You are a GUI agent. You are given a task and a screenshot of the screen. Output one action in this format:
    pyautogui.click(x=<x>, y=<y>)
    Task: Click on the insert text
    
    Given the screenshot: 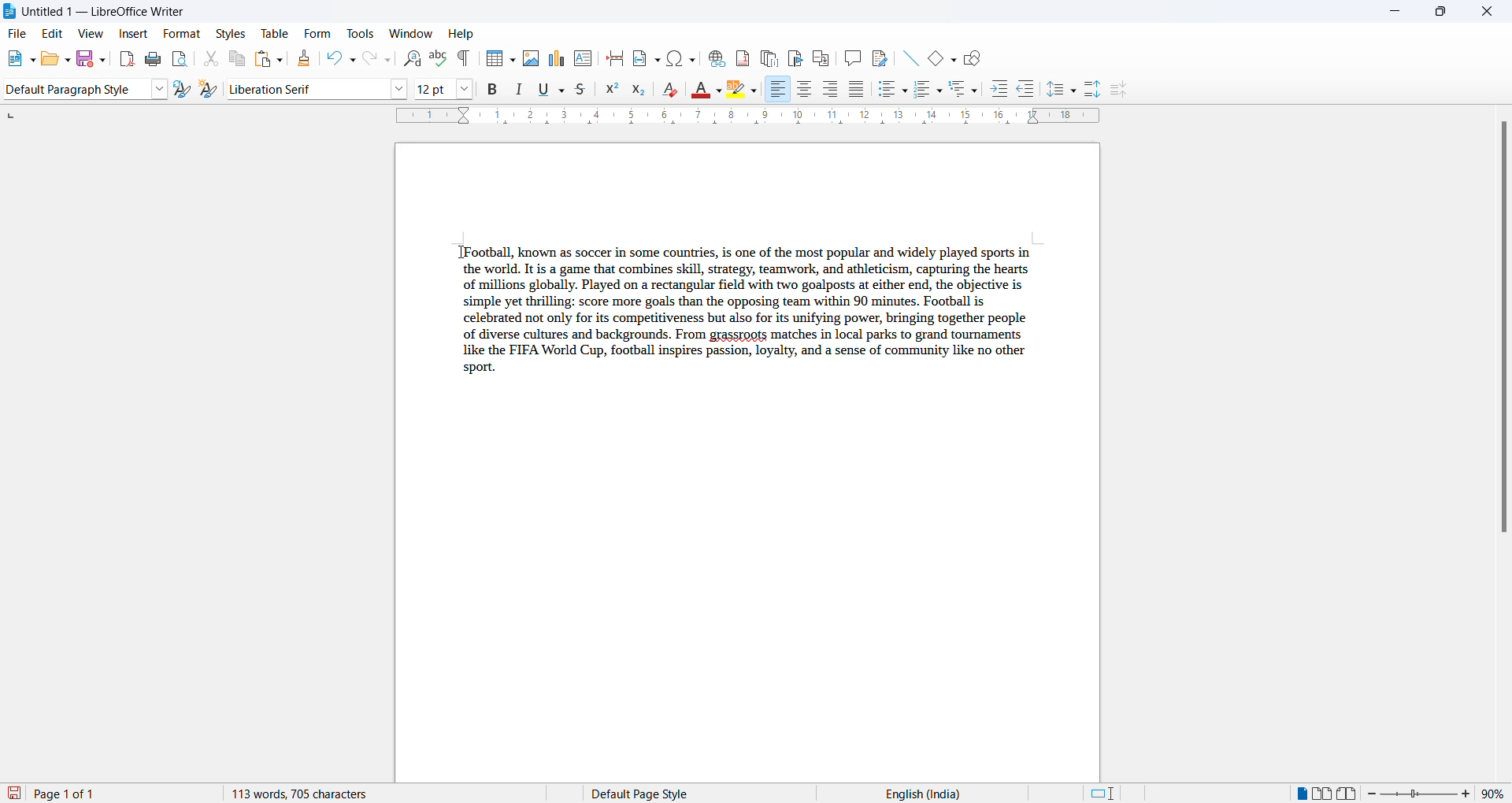 What is the action you would take?
    pyautogui.click(x=584, y=58)
    